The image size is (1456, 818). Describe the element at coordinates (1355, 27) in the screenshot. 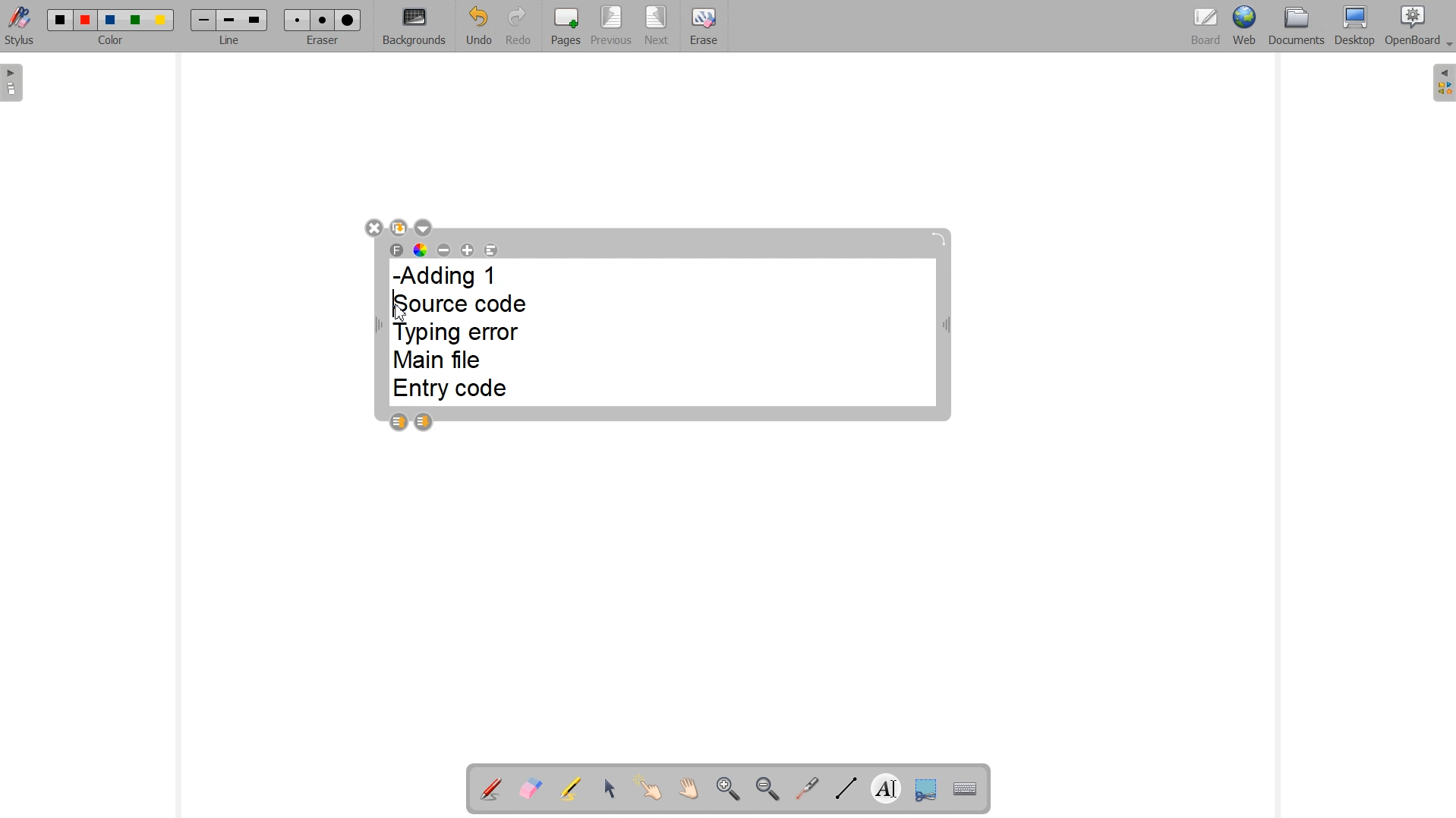

I see `Desktop` at that location.